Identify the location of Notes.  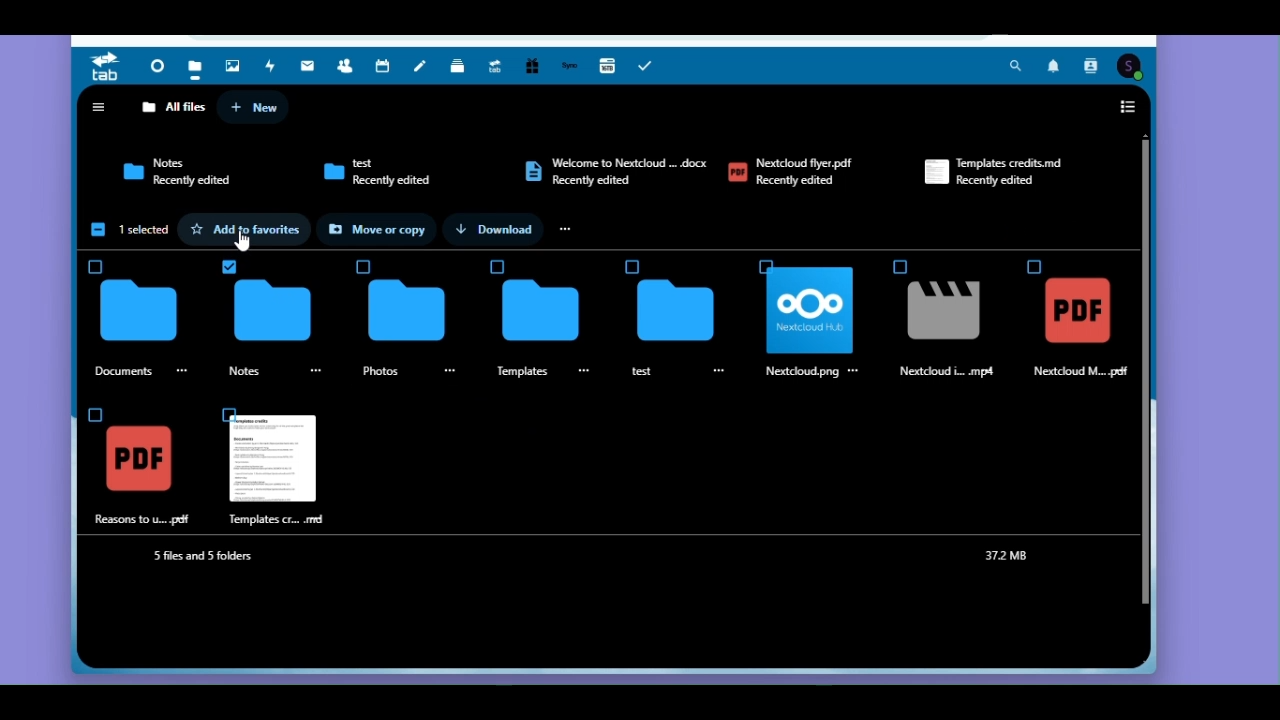
(422, 66).